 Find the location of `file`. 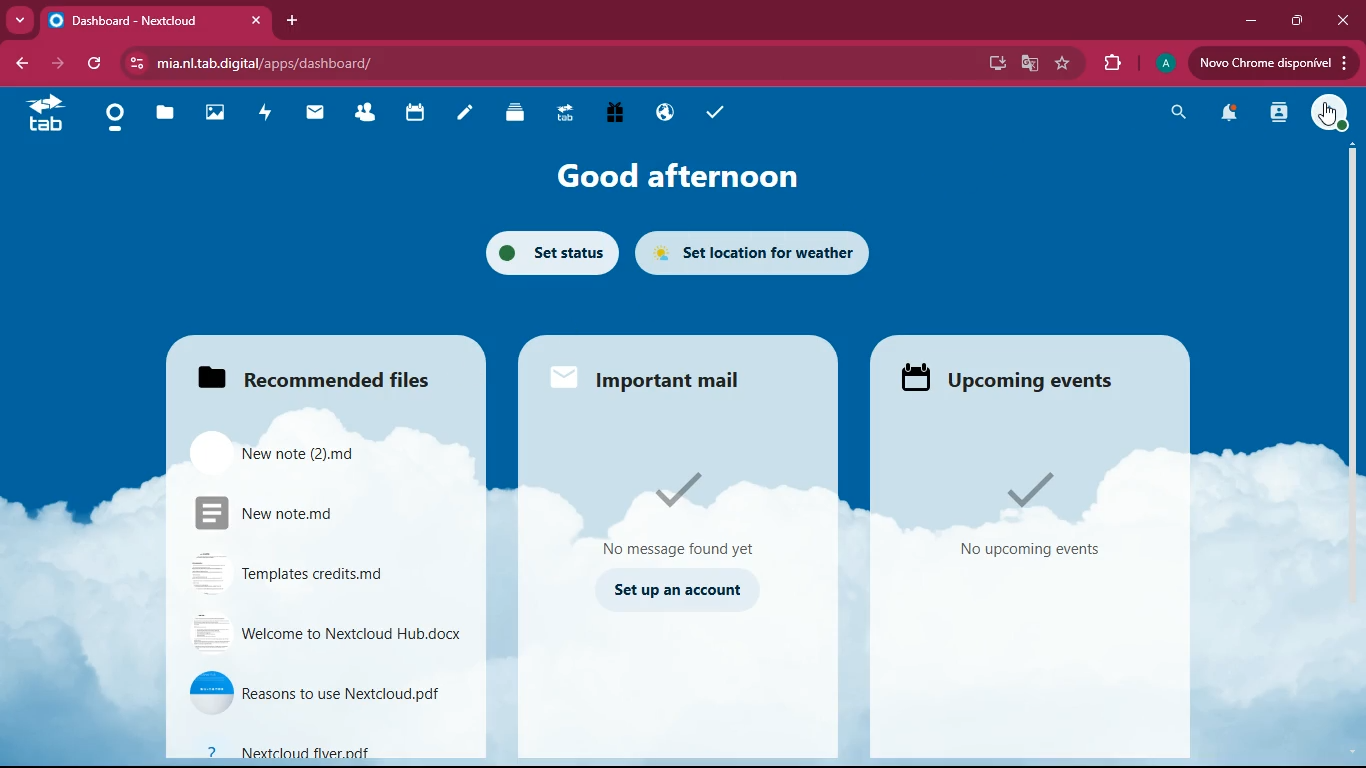

file is located at coordinates (327, 514).